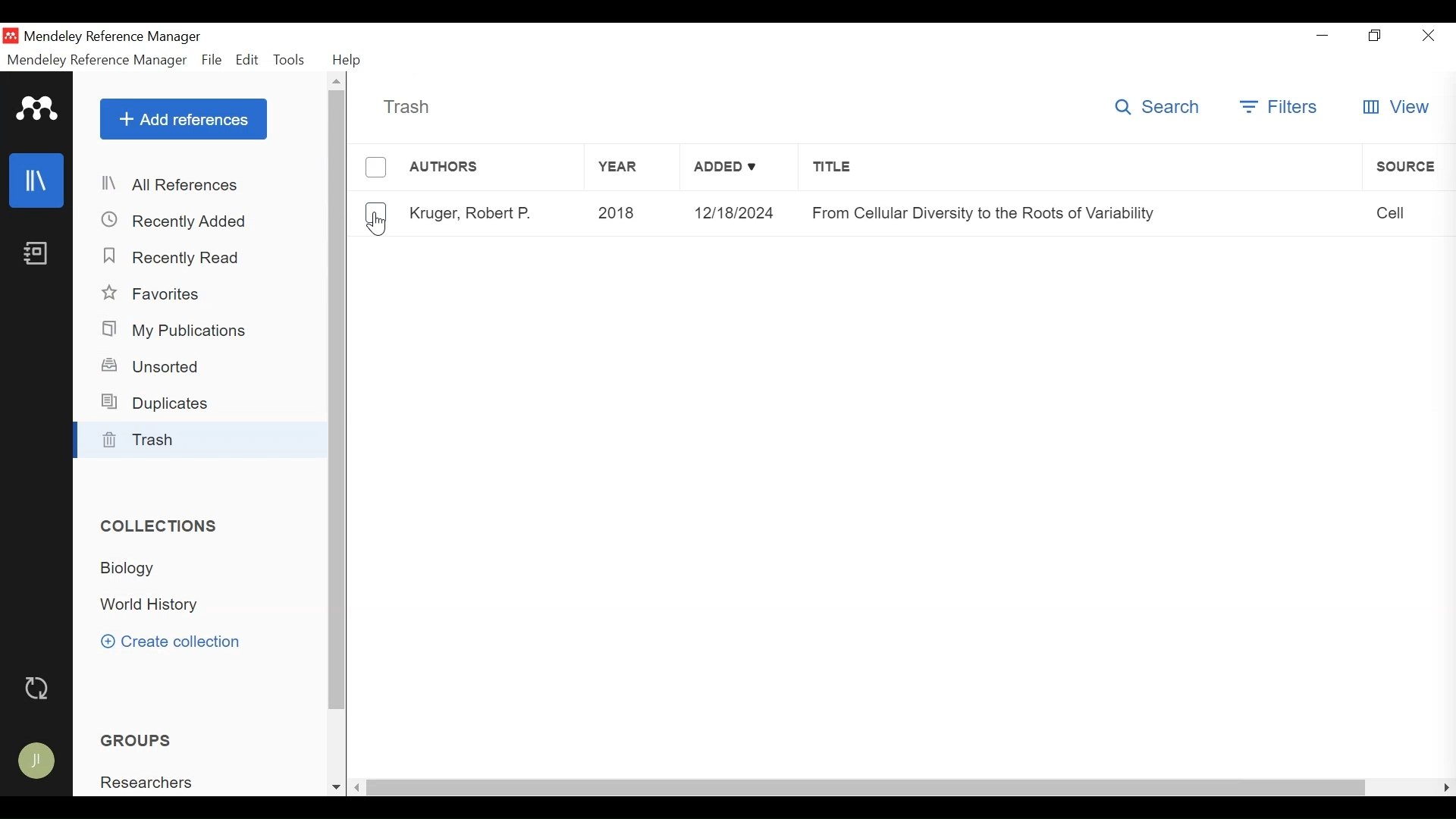 The width and height of the screenshot is (1456, 819). I want to click on Favorites, so click(161, 293).